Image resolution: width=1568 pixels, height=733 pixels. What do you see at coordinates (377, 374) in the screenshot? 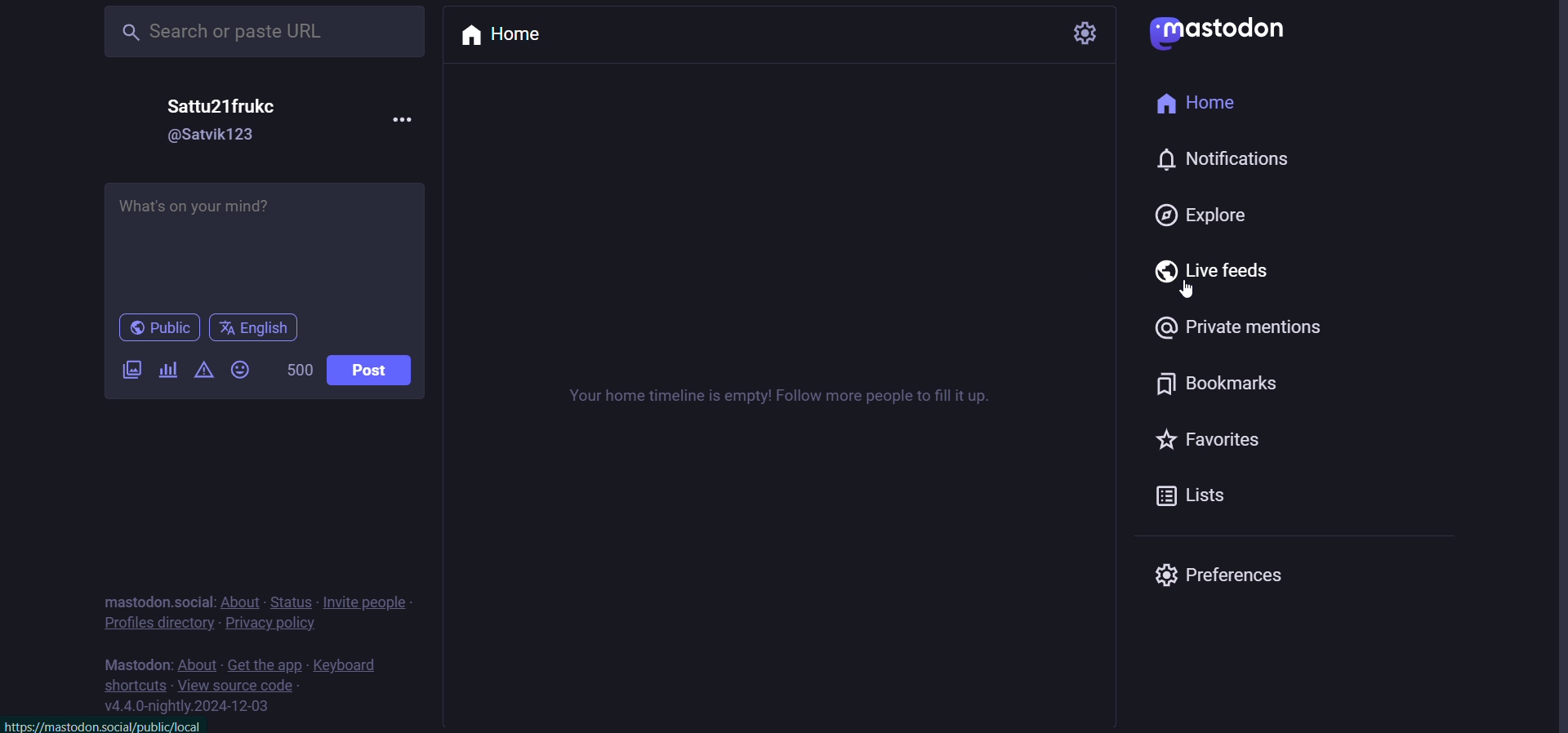
I see `post` at bounding box center [377, 374].